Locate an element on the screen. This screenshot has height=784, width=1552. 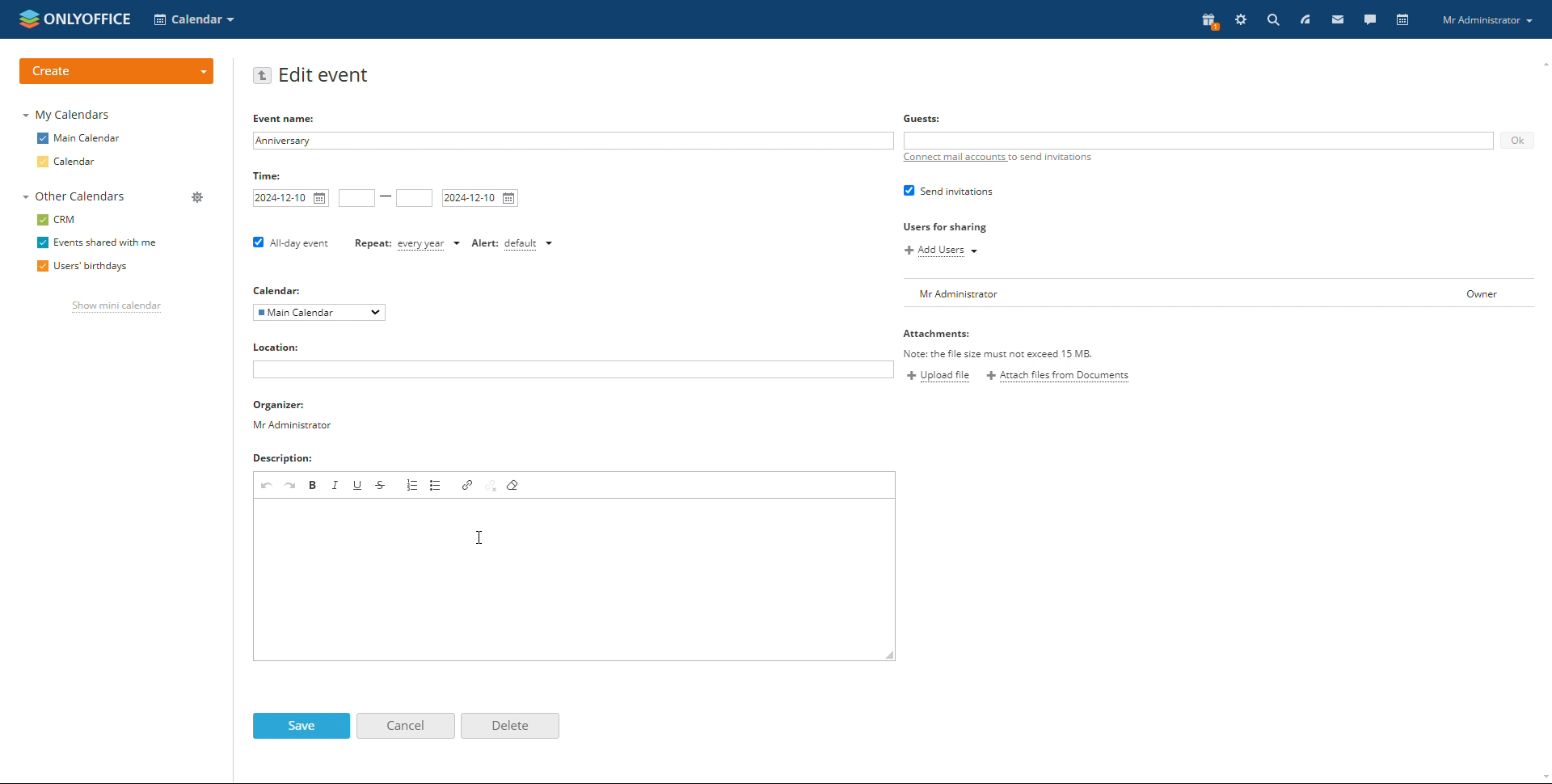
feed is located at coordinates (1304, 19).